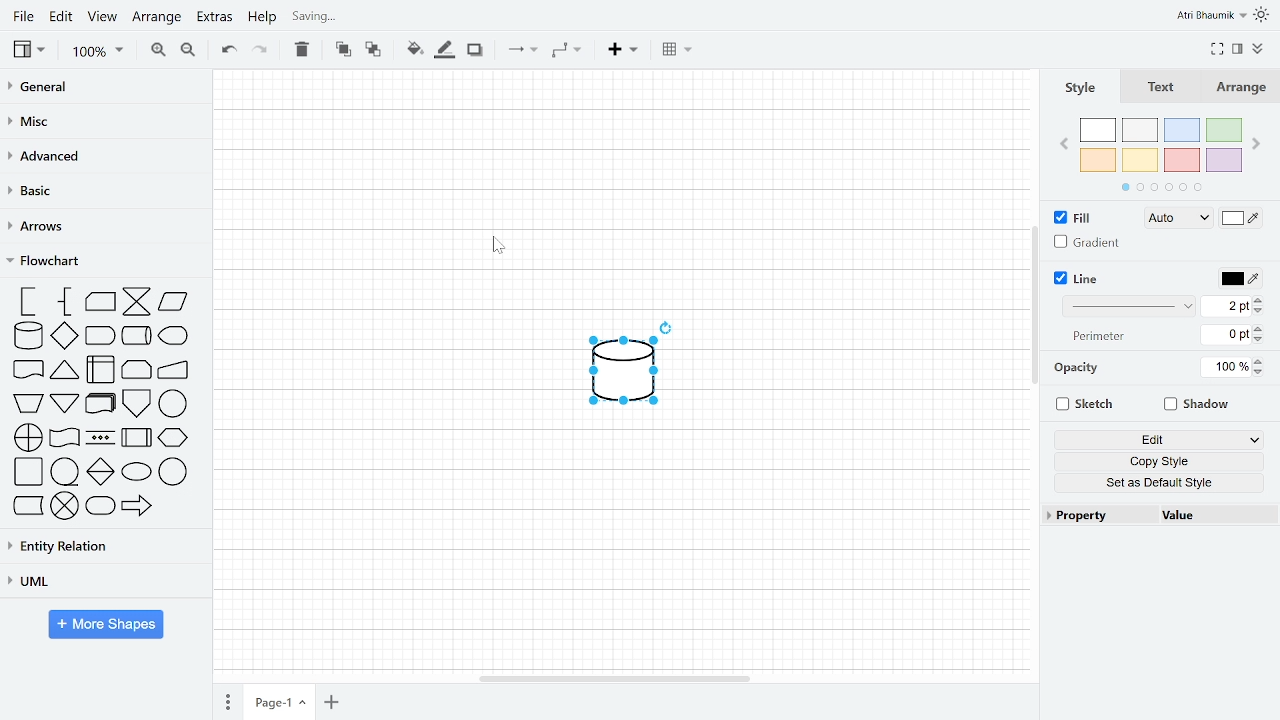  What do you see at coordinates (1259, 312) in the screenshot?
I see `Decrease line width` at bounding box center [1259, 312].